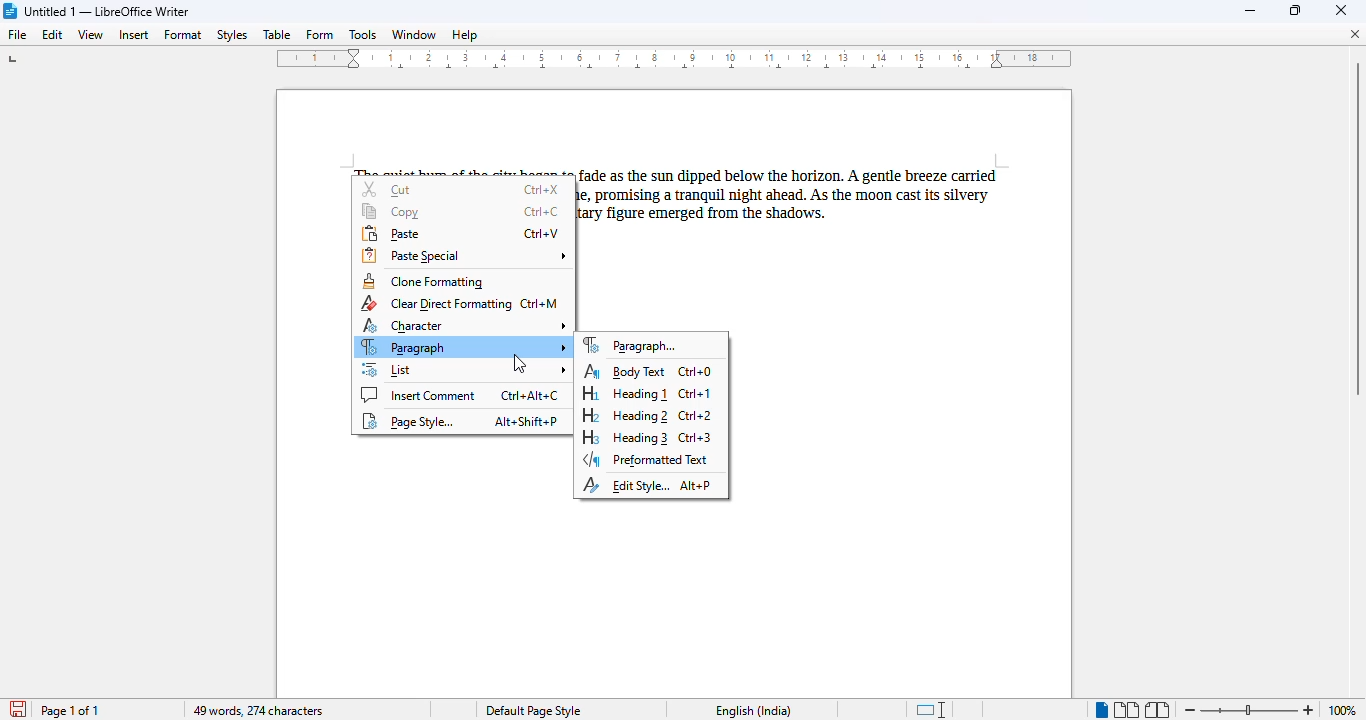 This screenshot has height=720, width=1366. What do you see at coordinates (464, 369) in the screenshot?
I see `list` at bounding box center [464, 369].